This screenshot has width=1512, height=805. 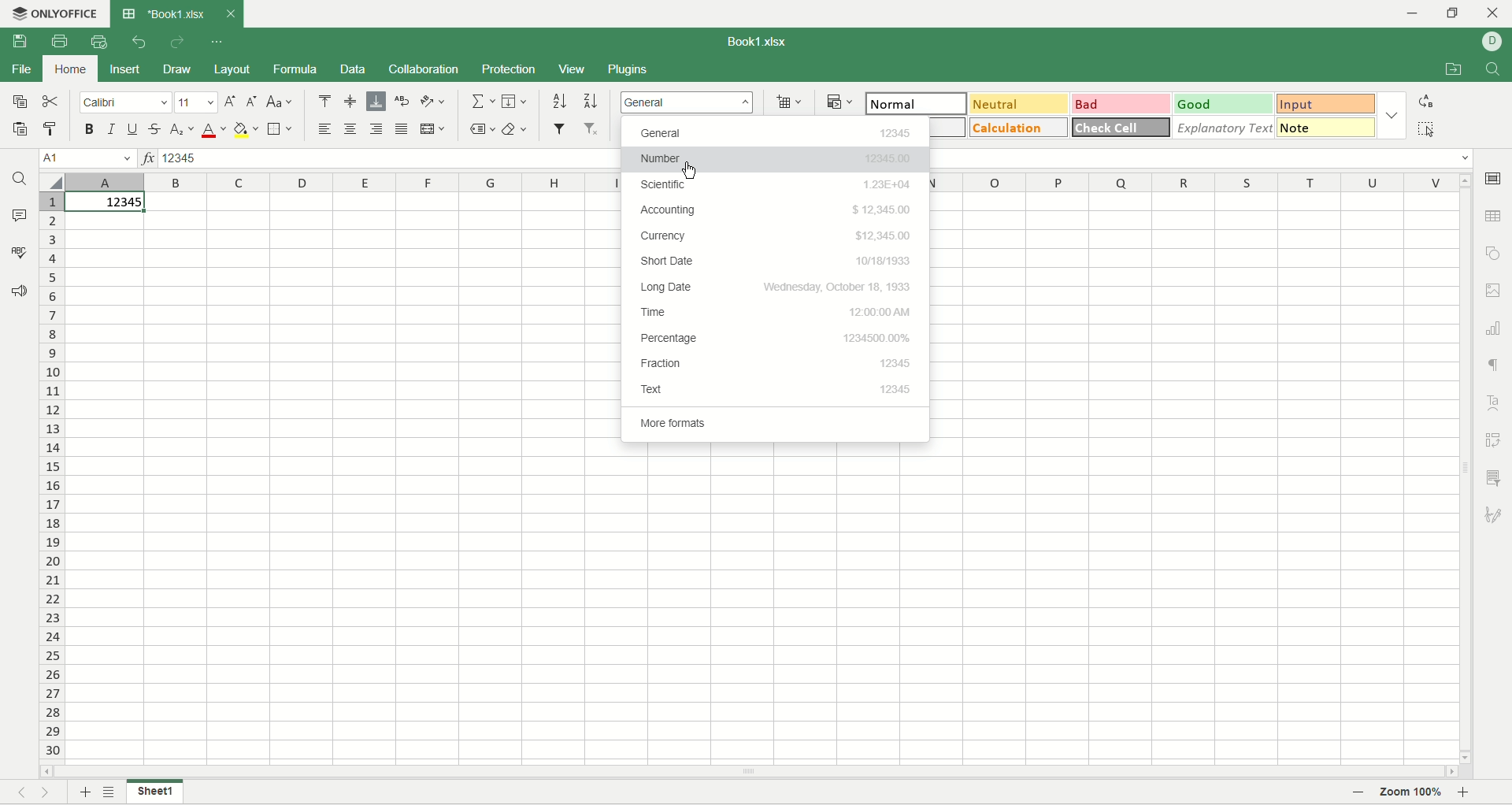 I want to click on align below, so click(x=376, y=102).